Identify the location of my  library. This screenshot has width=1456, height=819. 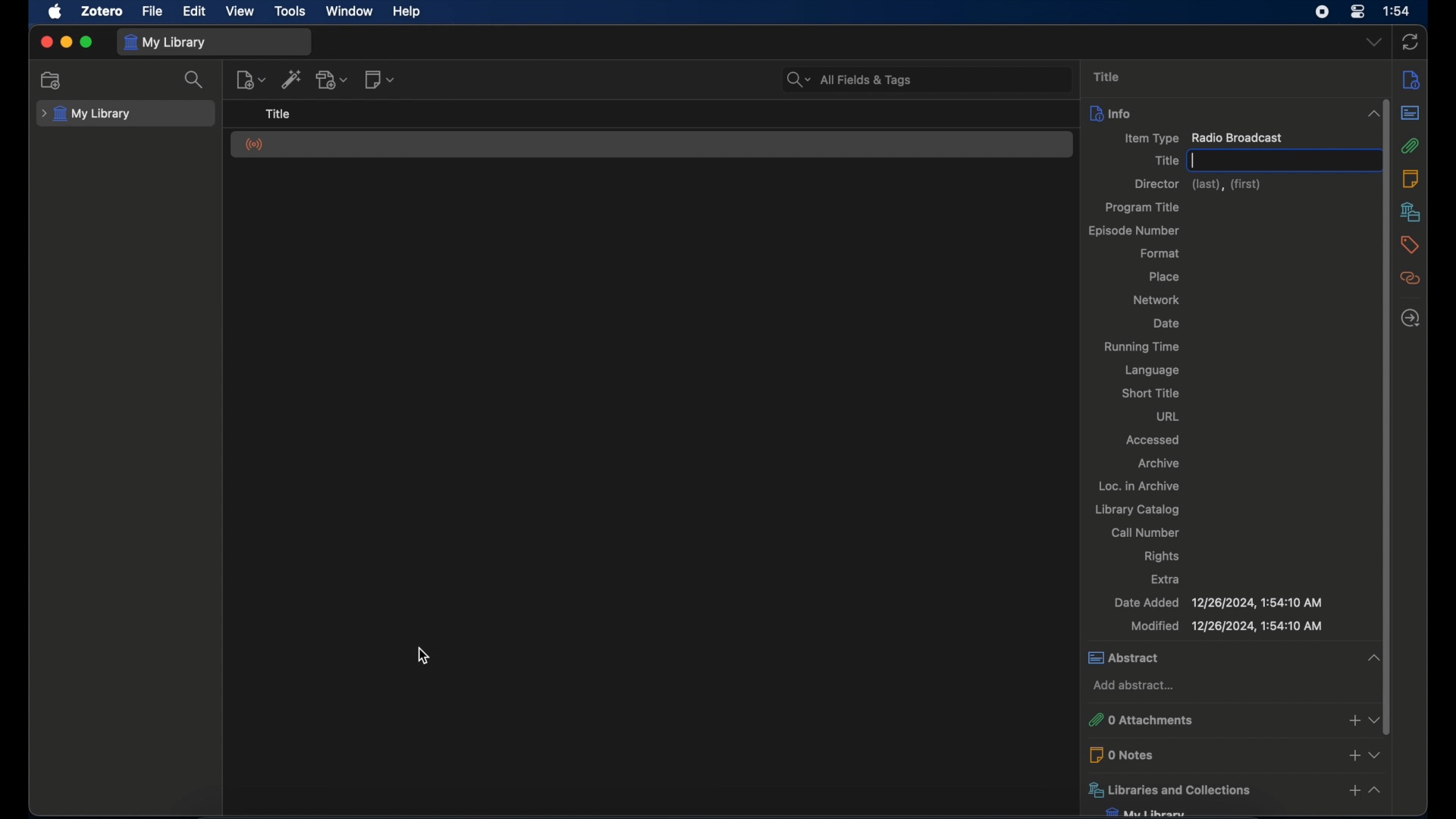
(1147, 811).